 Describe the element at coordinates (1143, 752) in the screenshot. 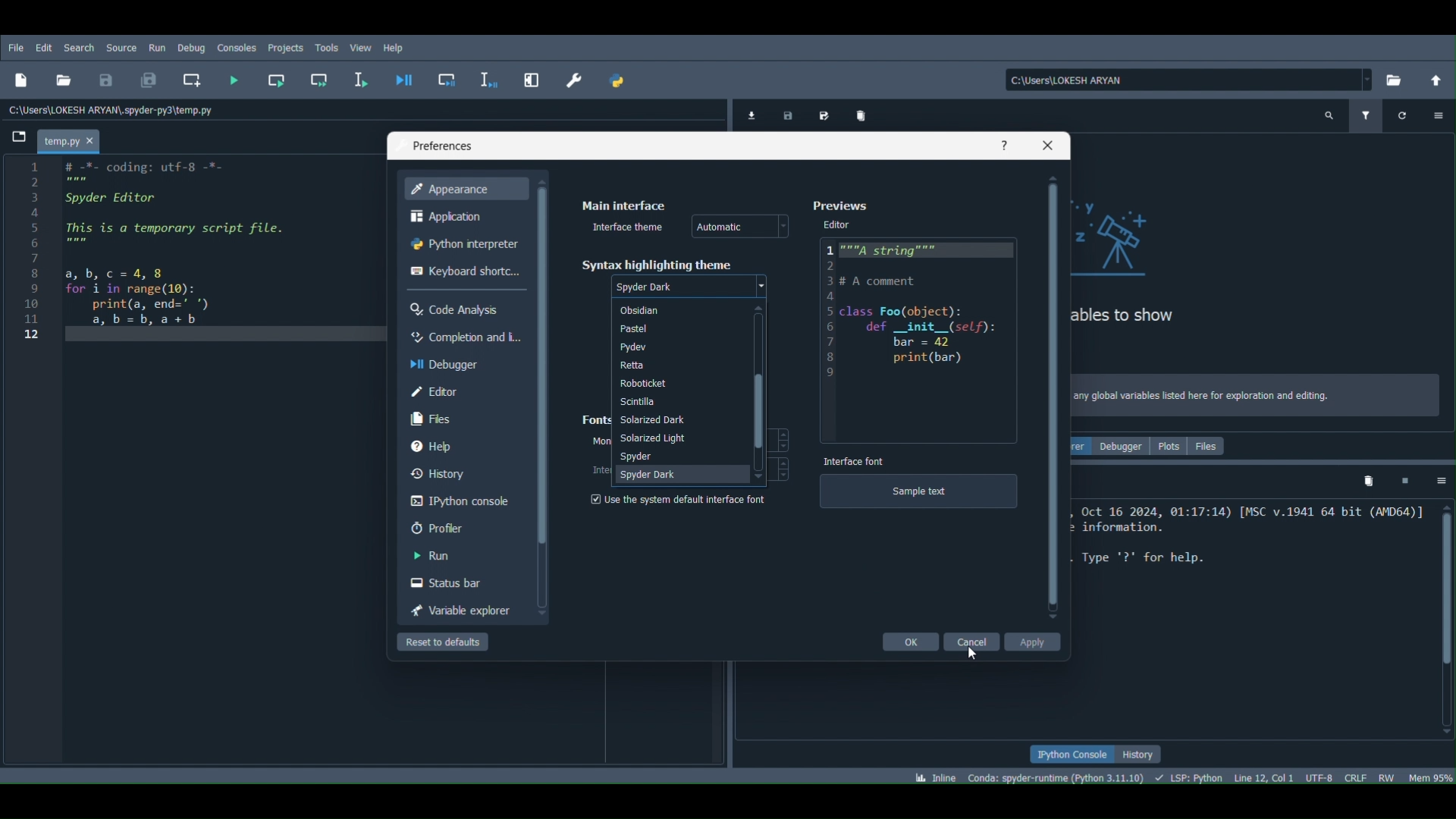

I see `History` at that location.